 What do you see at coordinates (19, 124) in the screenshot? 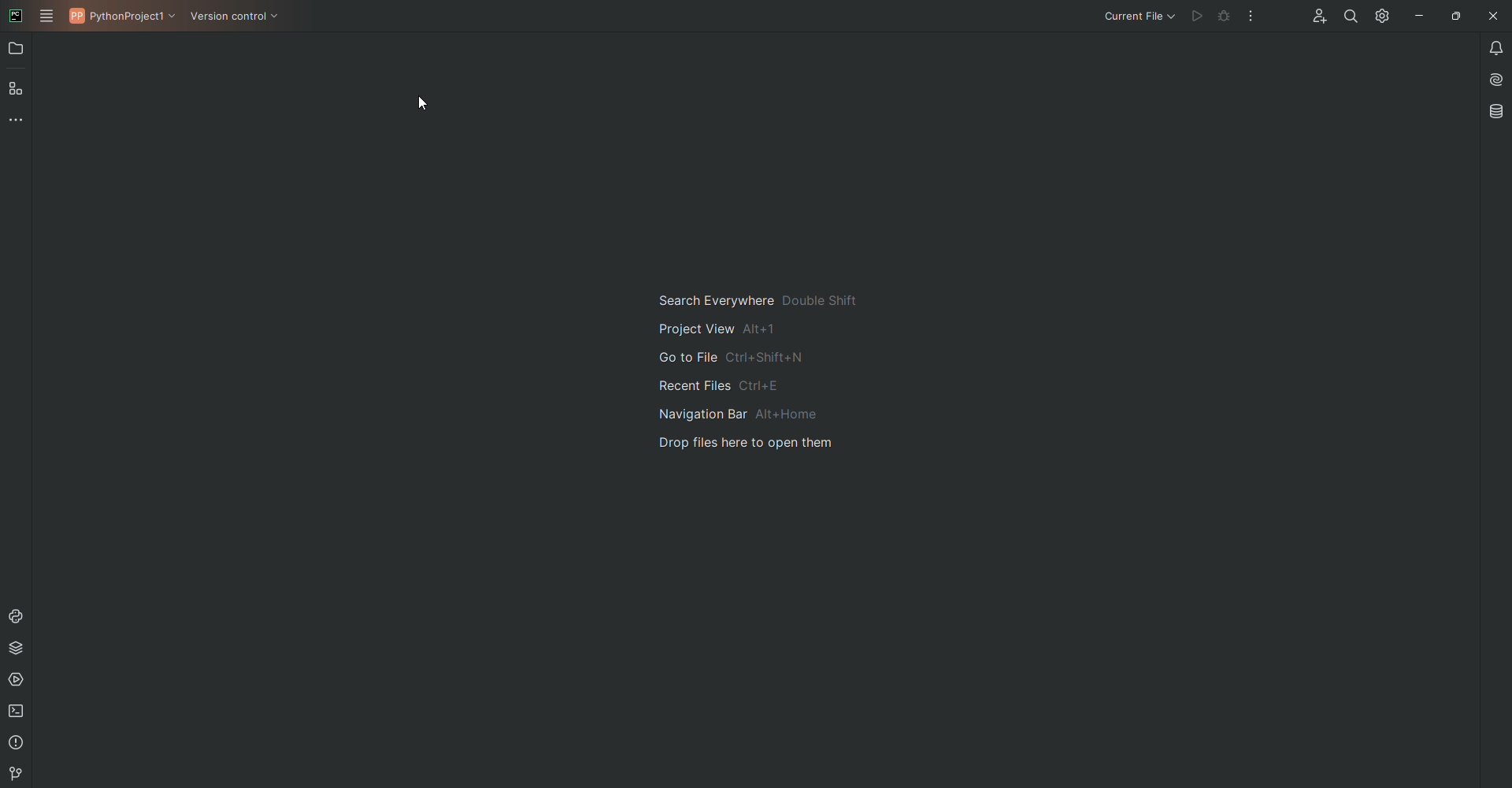
I see `More Tools` at bounding box center [19, 124].